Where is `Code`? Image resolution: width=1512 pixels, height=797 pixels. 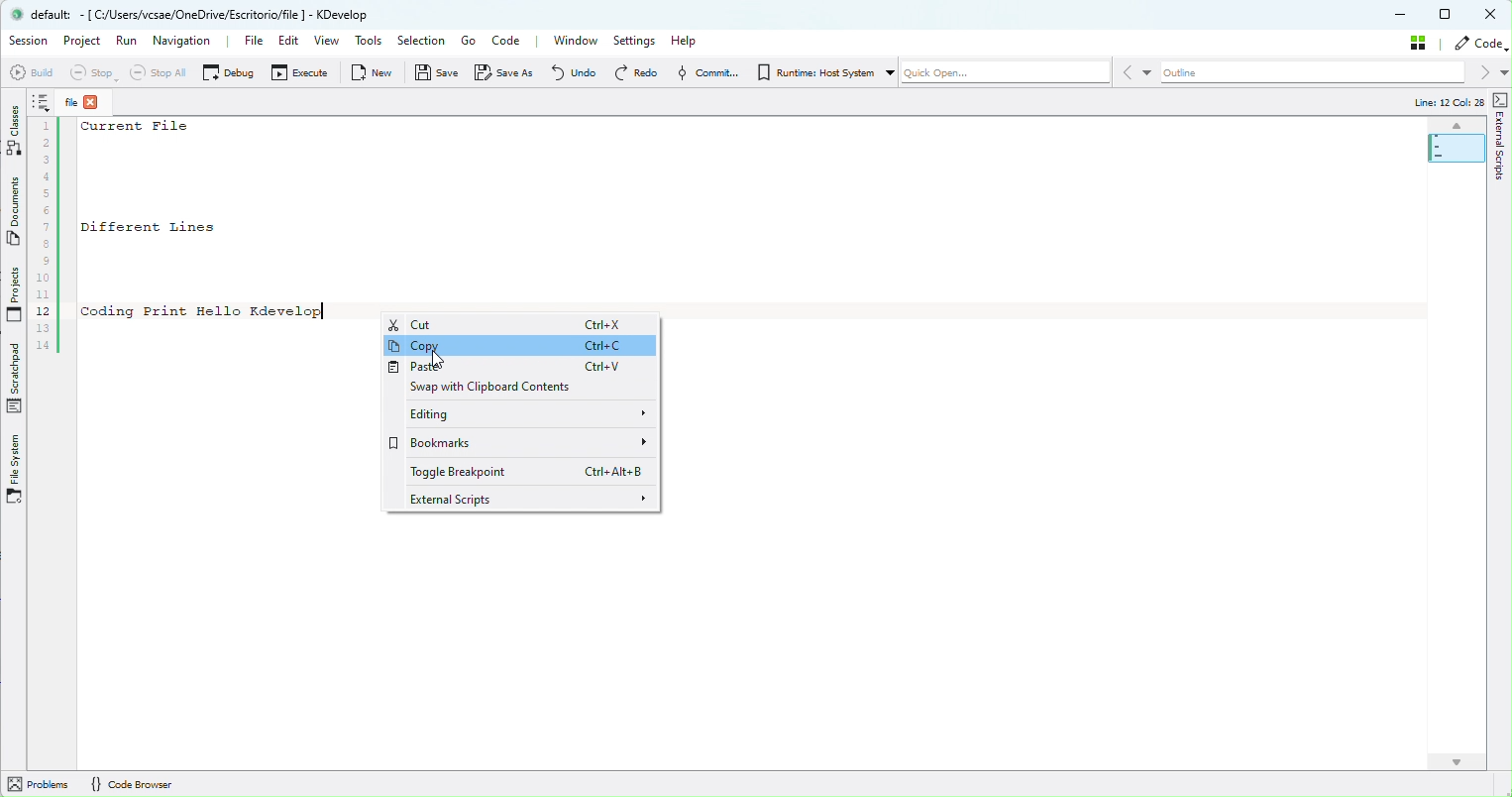
Code is located at coordinates (511, 41).